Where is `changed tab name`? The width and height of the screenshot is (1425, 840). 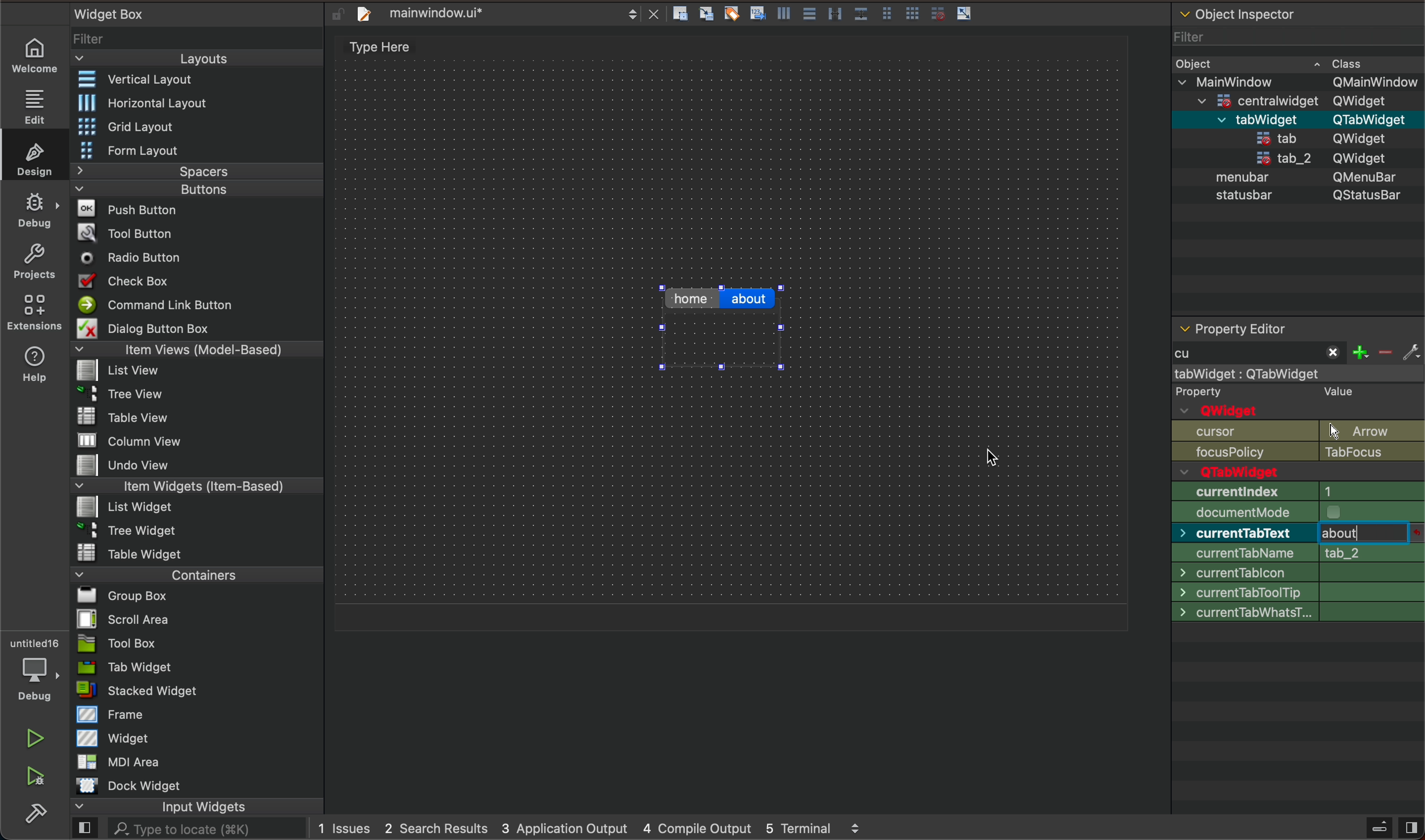
changed tab name is located at coordinates (722, 328).